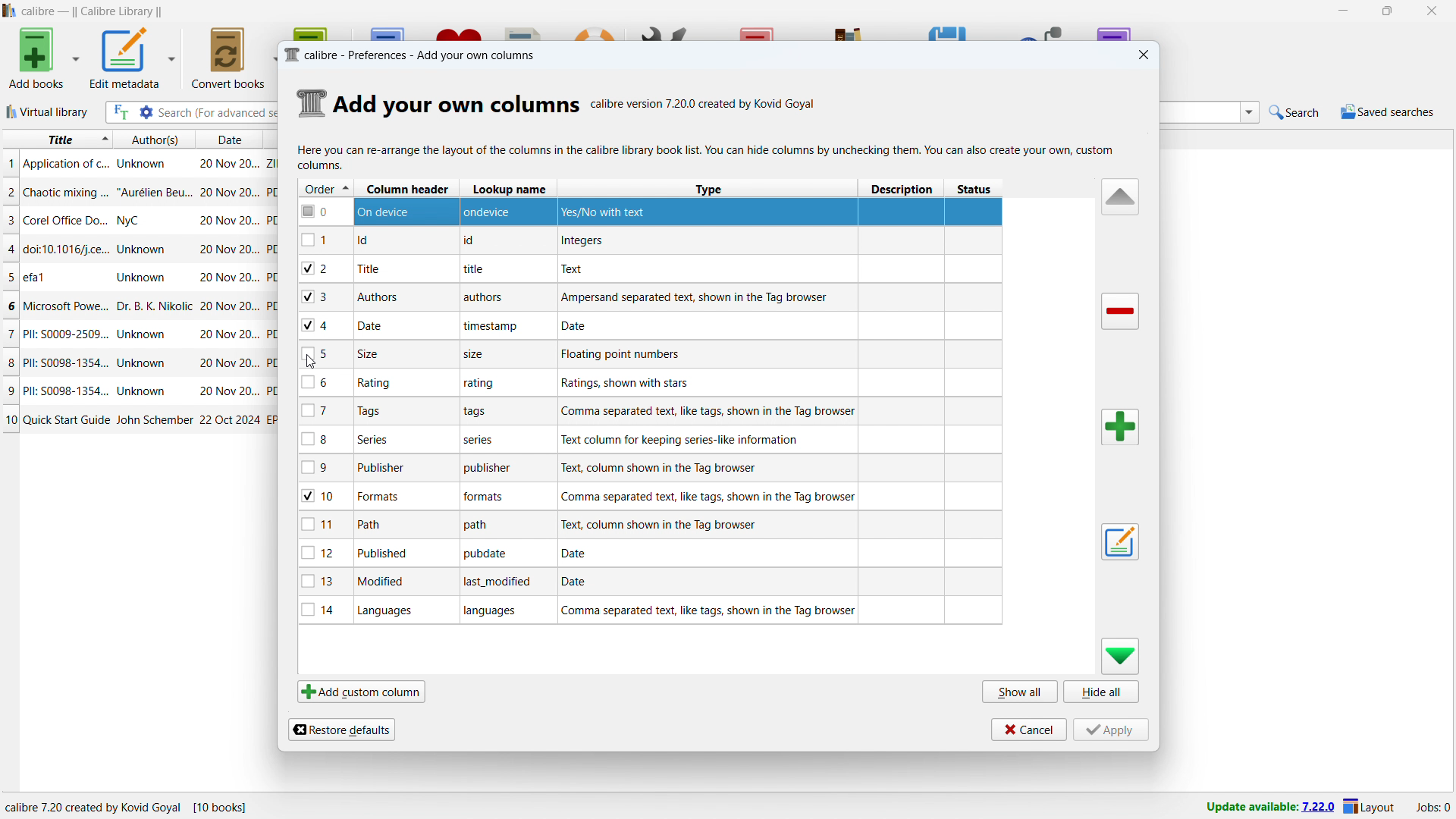  Describe the element at coordinates (325, 524) in the screenshot. I see `11` at that location.